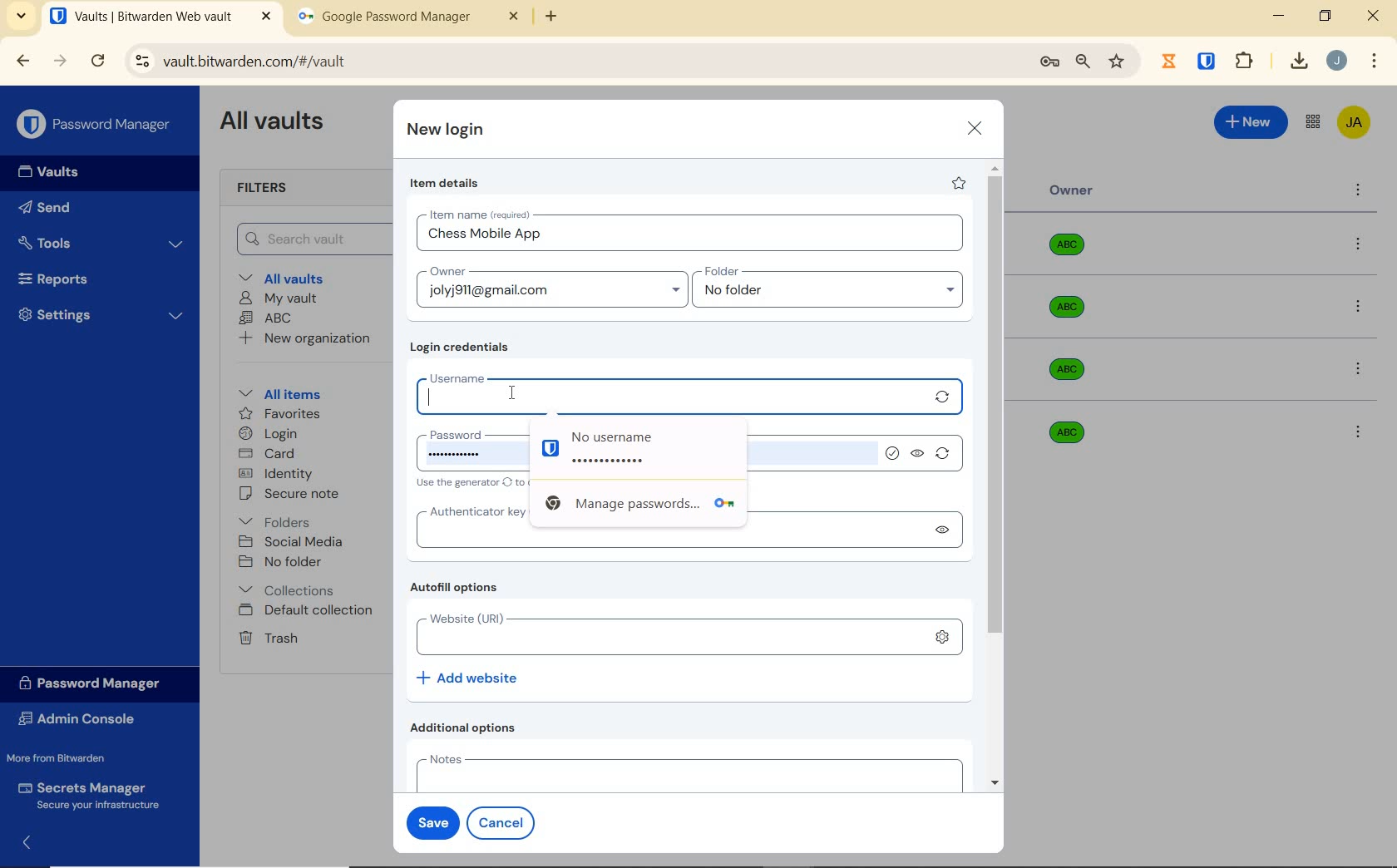  What do you see at coordinates (1324, 16) in the screenshot?
I see `restore` at bounding box center [1324, 16].